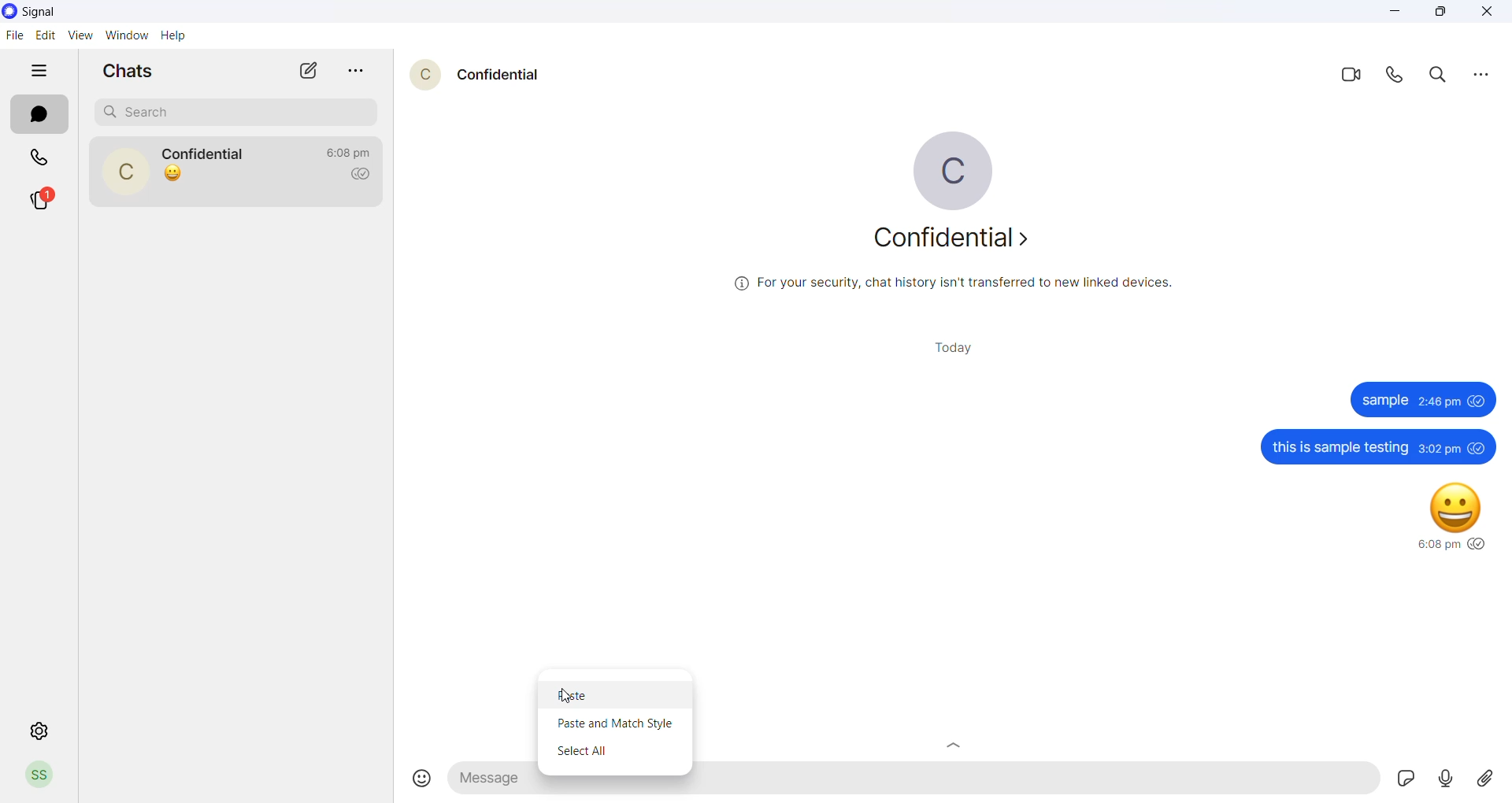 The height and width of the screenshot is (803, 1512). I want to click on voice call, so click(1401, 80).